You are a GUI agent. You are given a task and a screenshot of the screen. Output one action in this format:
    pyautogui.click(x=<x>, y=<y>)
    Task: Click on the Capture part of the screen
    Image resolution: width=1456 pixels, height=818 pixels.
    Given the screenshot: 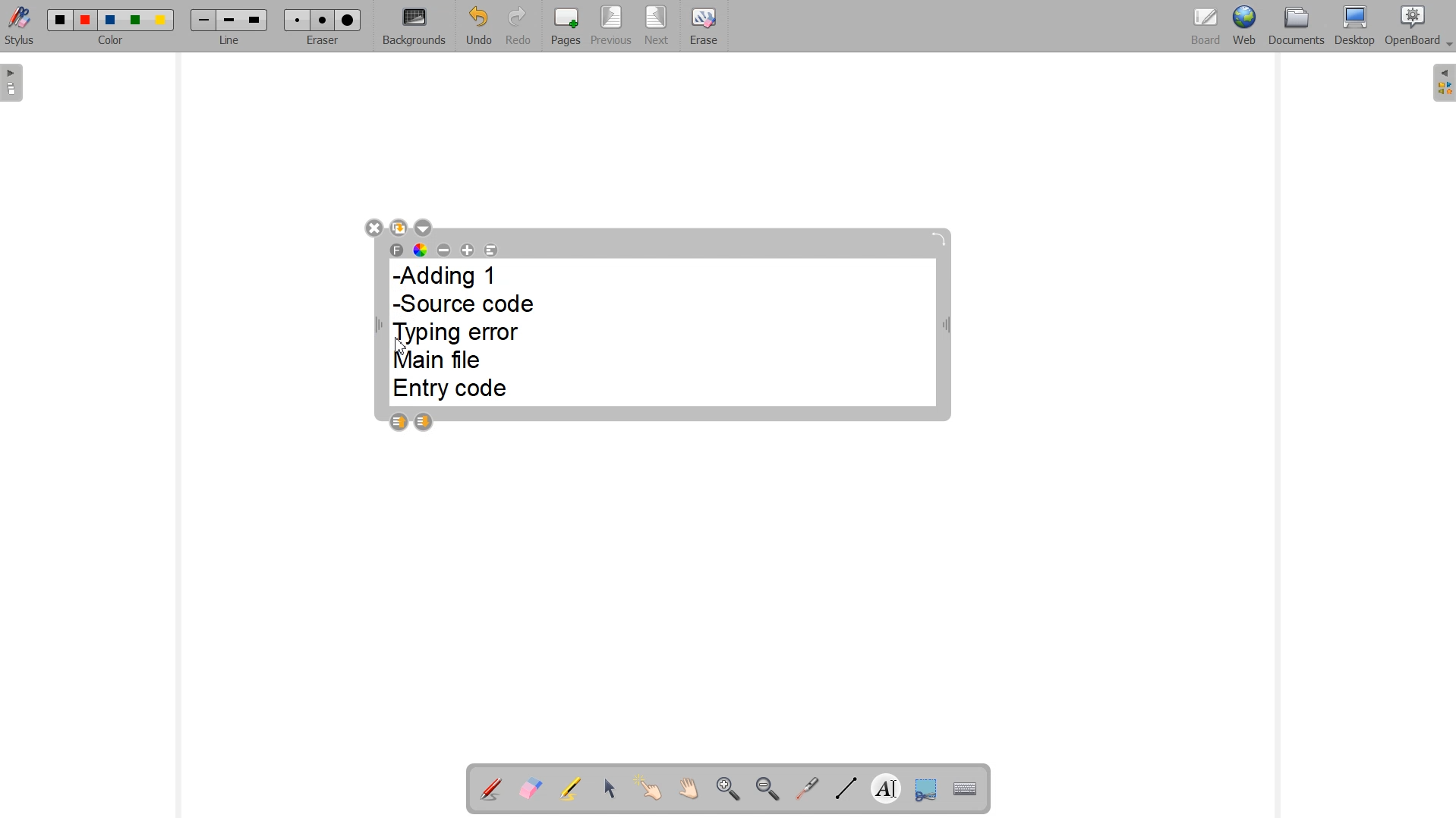 What is the action you would take?
    pyautogui.click(x=925, y=788)
    